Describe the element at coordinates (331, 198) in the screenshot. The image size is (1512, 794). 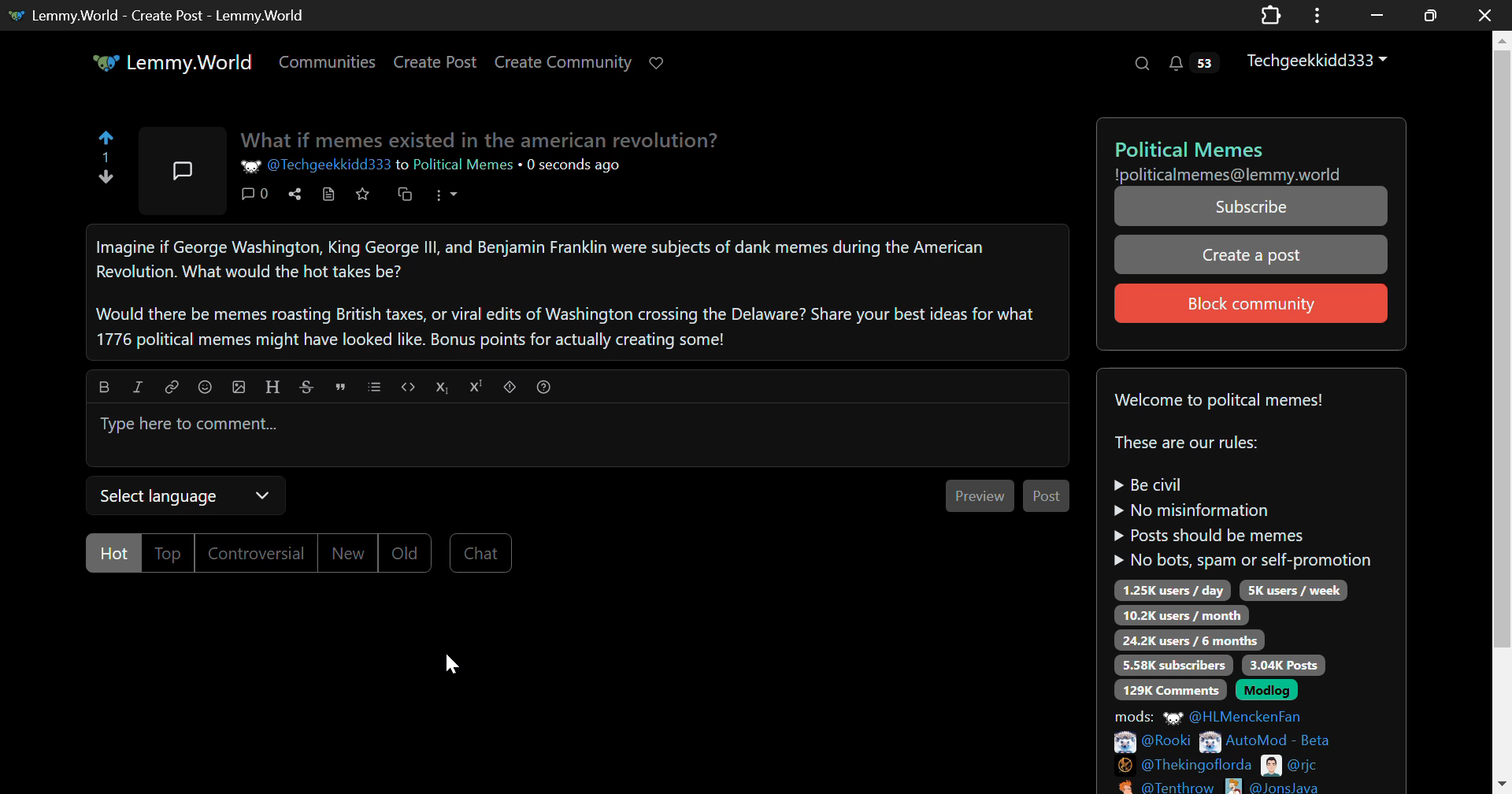
I see `View Source` at that location.